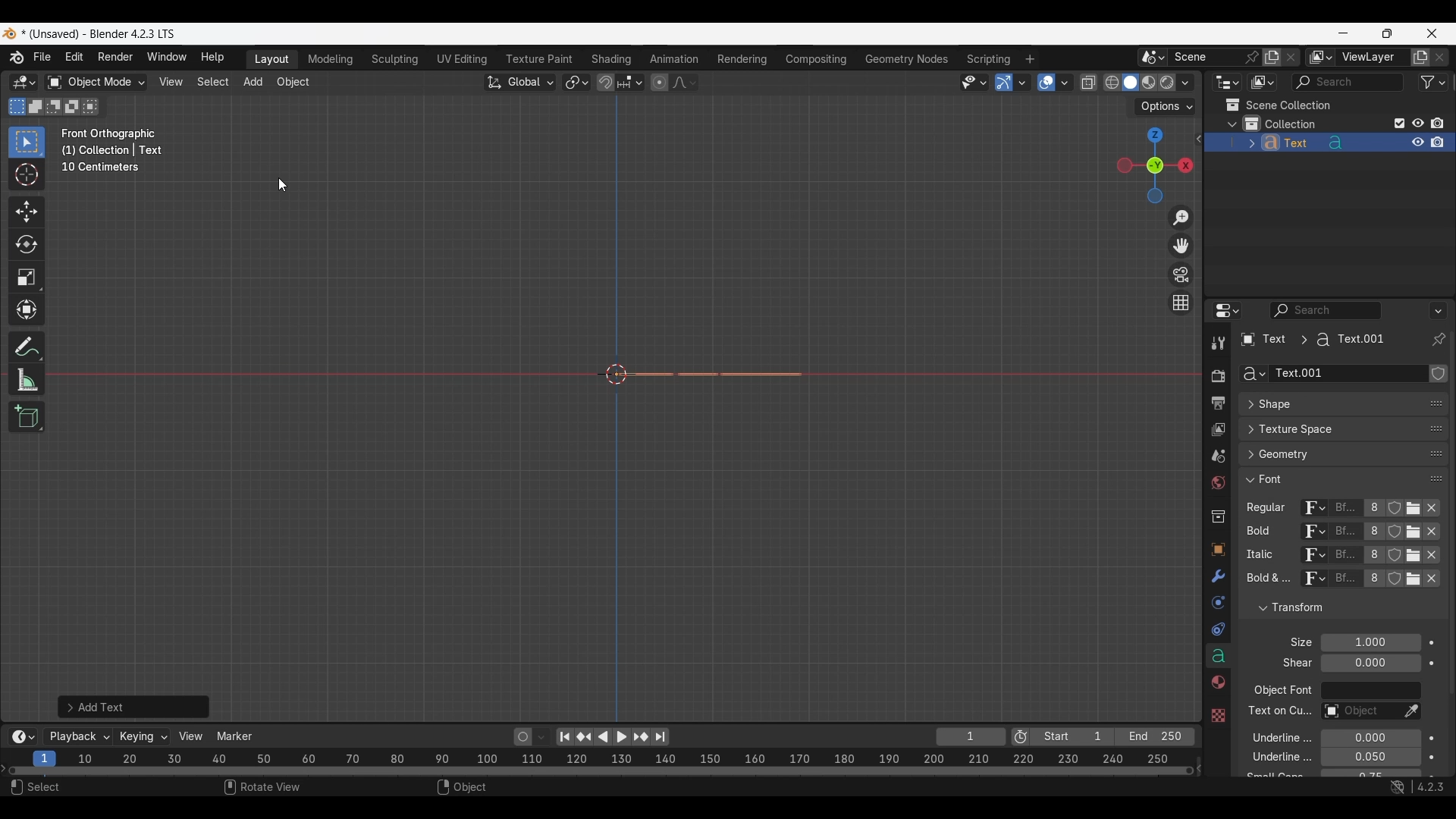  I want to click on Jump to key frame, so click(584, 737).